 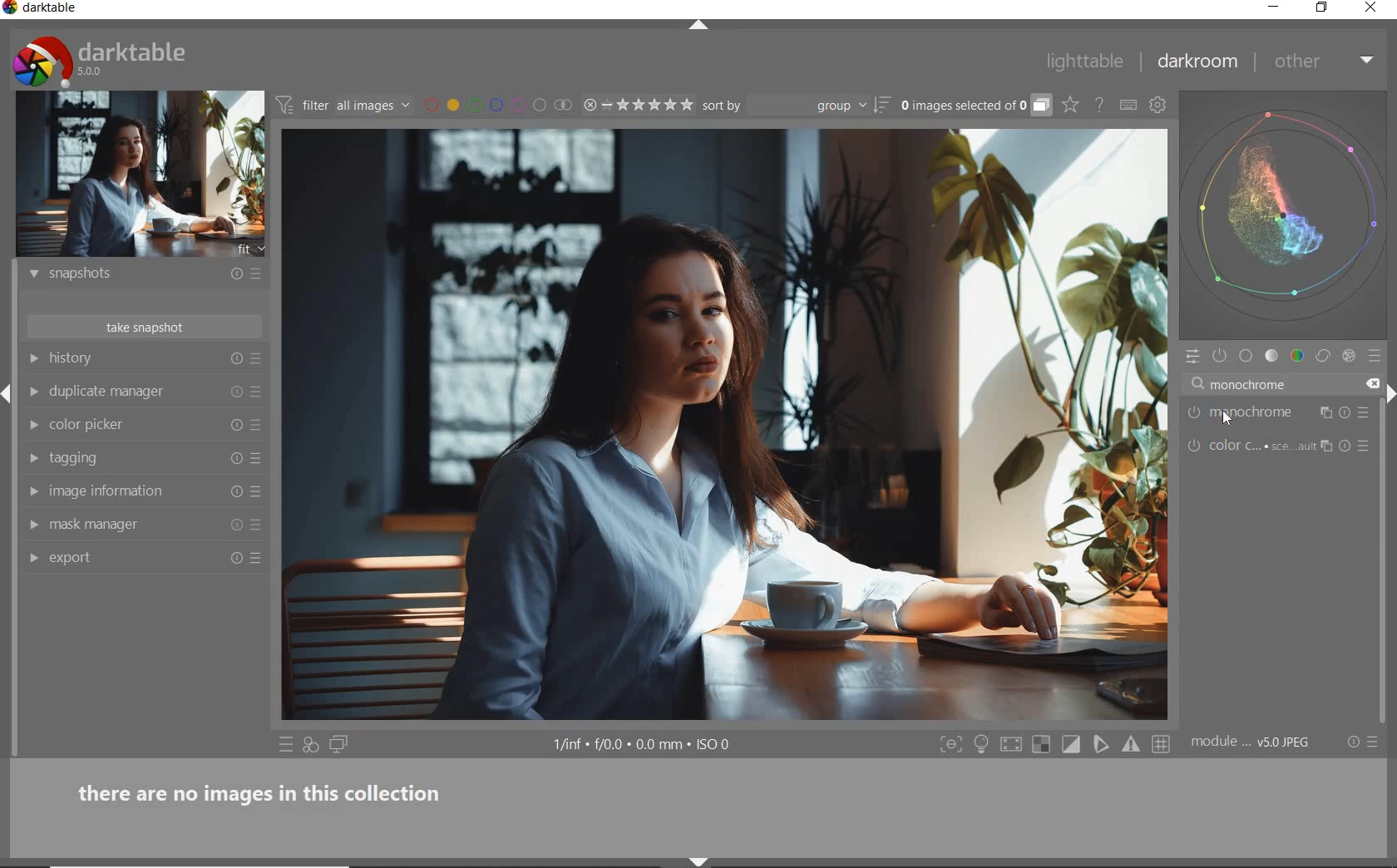 What do you see at coordinates (497, 105) in the screenshot?
I see `filter by images color label` at bounding box center [497, 105].